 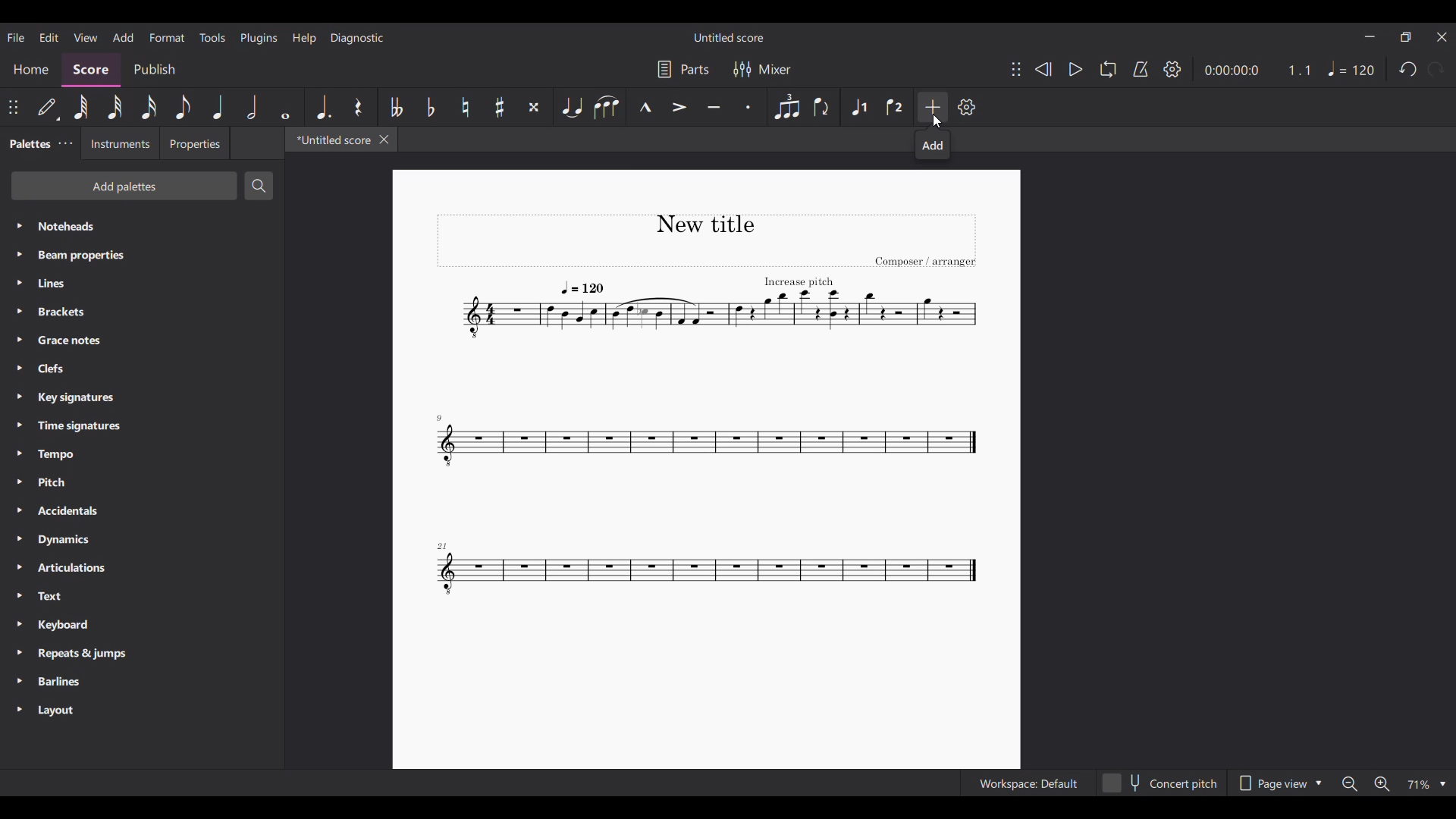 What do you see at coordinates (1162, 783) in the screenshot?
I see `Concert pitch toggle` at bounding box center [1162, 783].